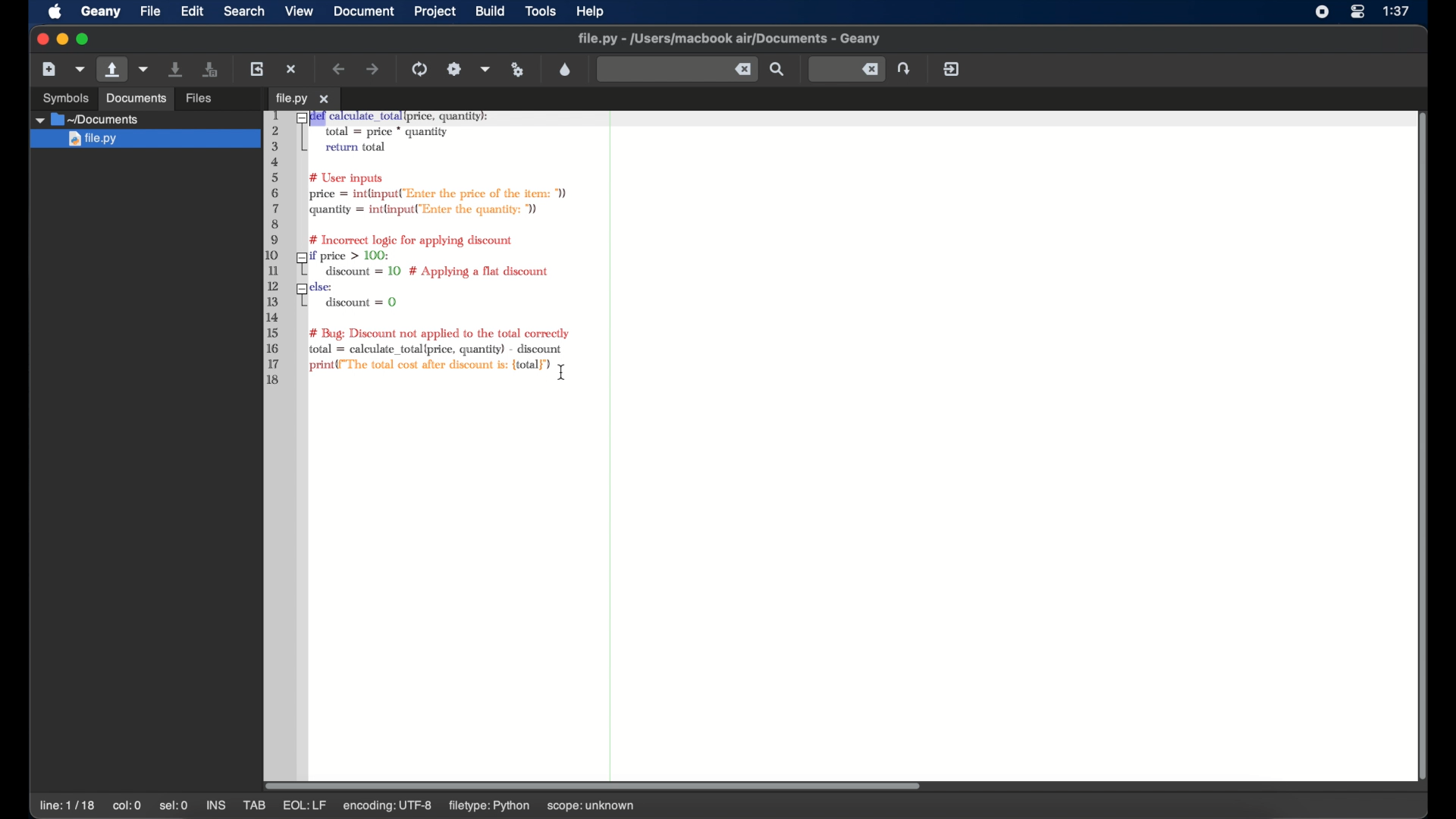 The image size is (1456, 819). I want to click on screen recorder icons, so click(1321, 12).